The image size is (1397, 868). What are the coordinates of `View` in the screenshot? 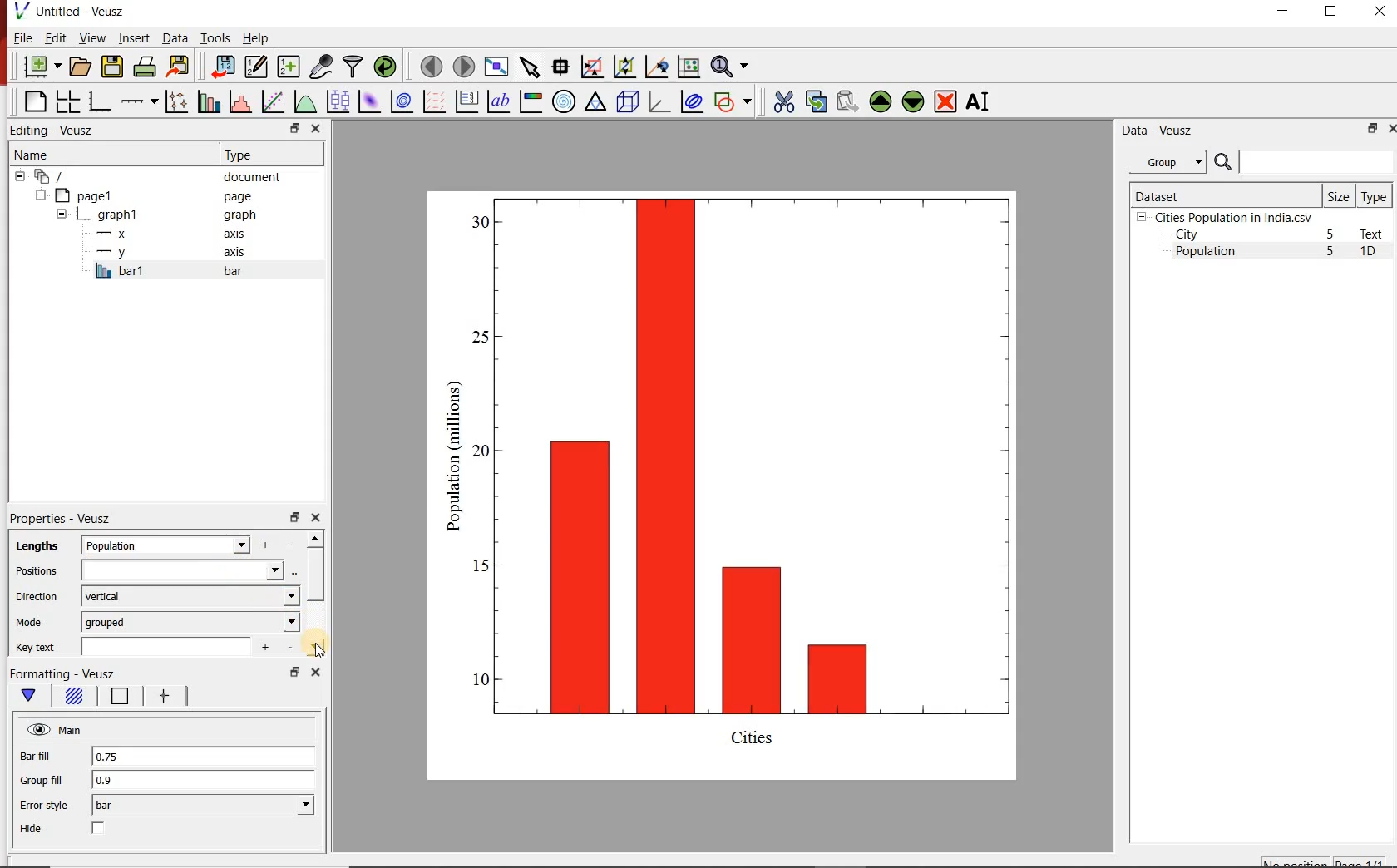 It's located at (89, 37).